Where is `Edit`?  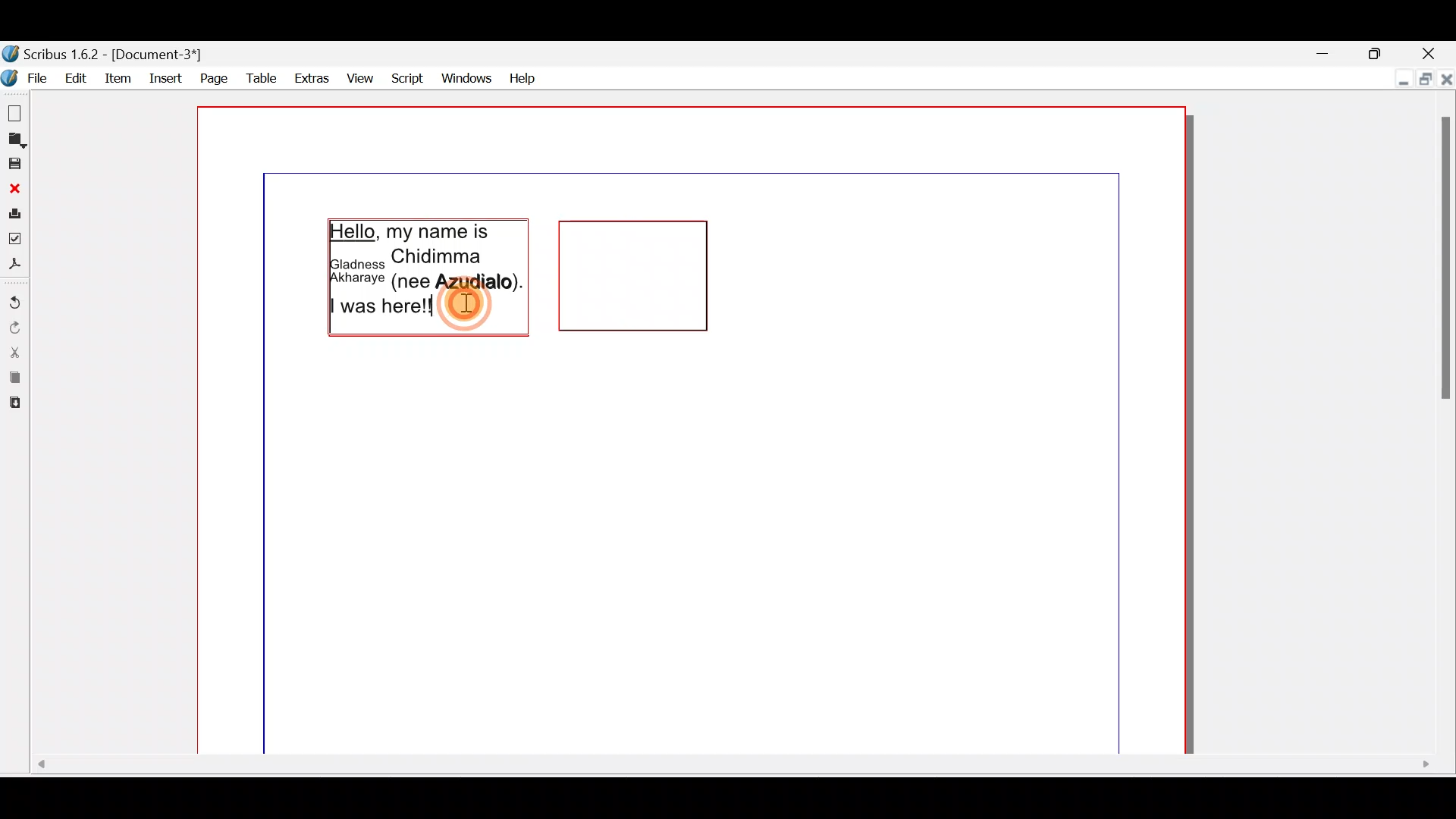 Edit is located at coordinates (77, 78).